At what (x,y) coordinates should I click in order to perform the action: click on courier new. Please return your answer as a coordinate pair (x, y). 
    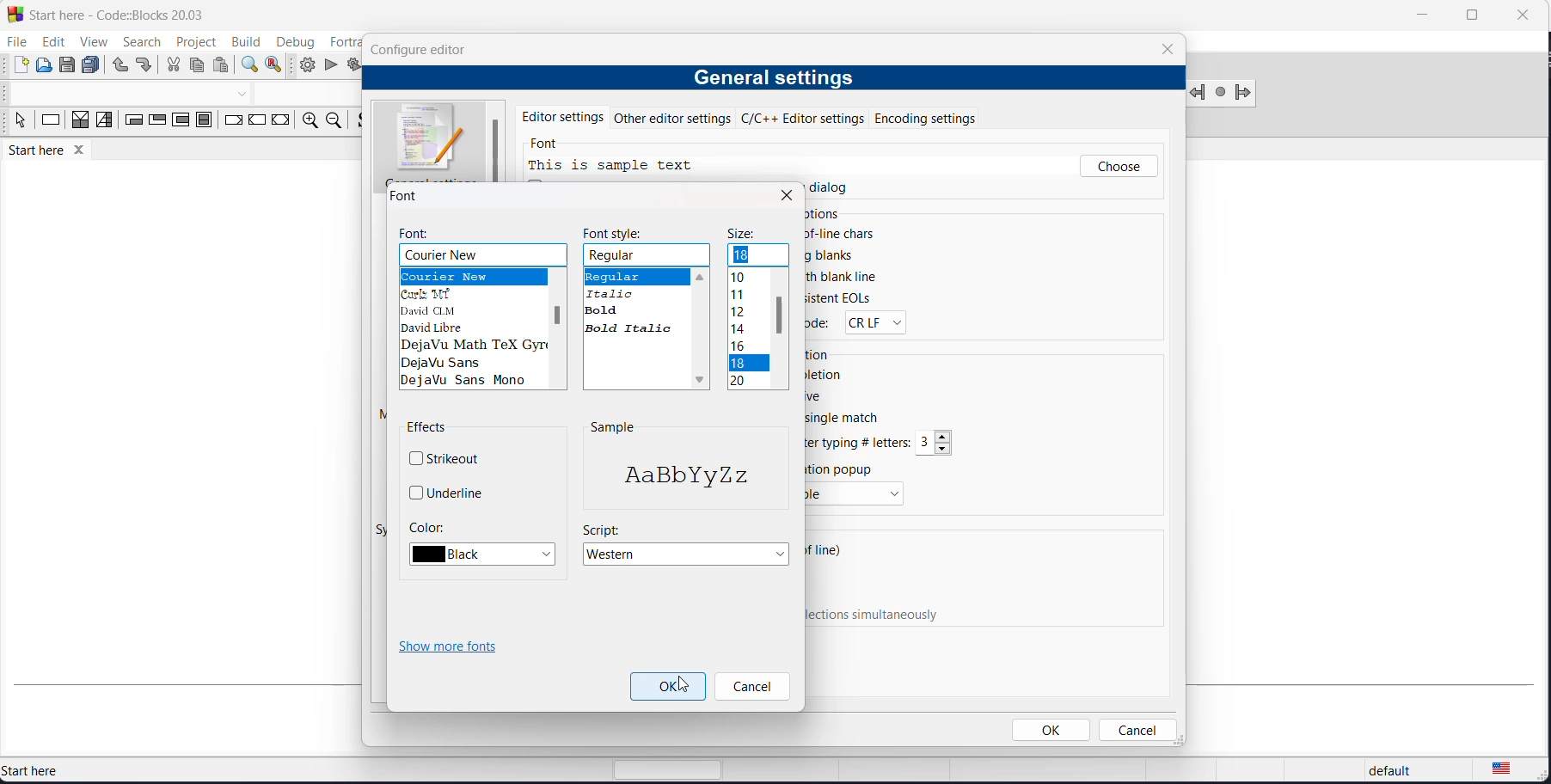
    Looking at the image, I should click on (483, 254).